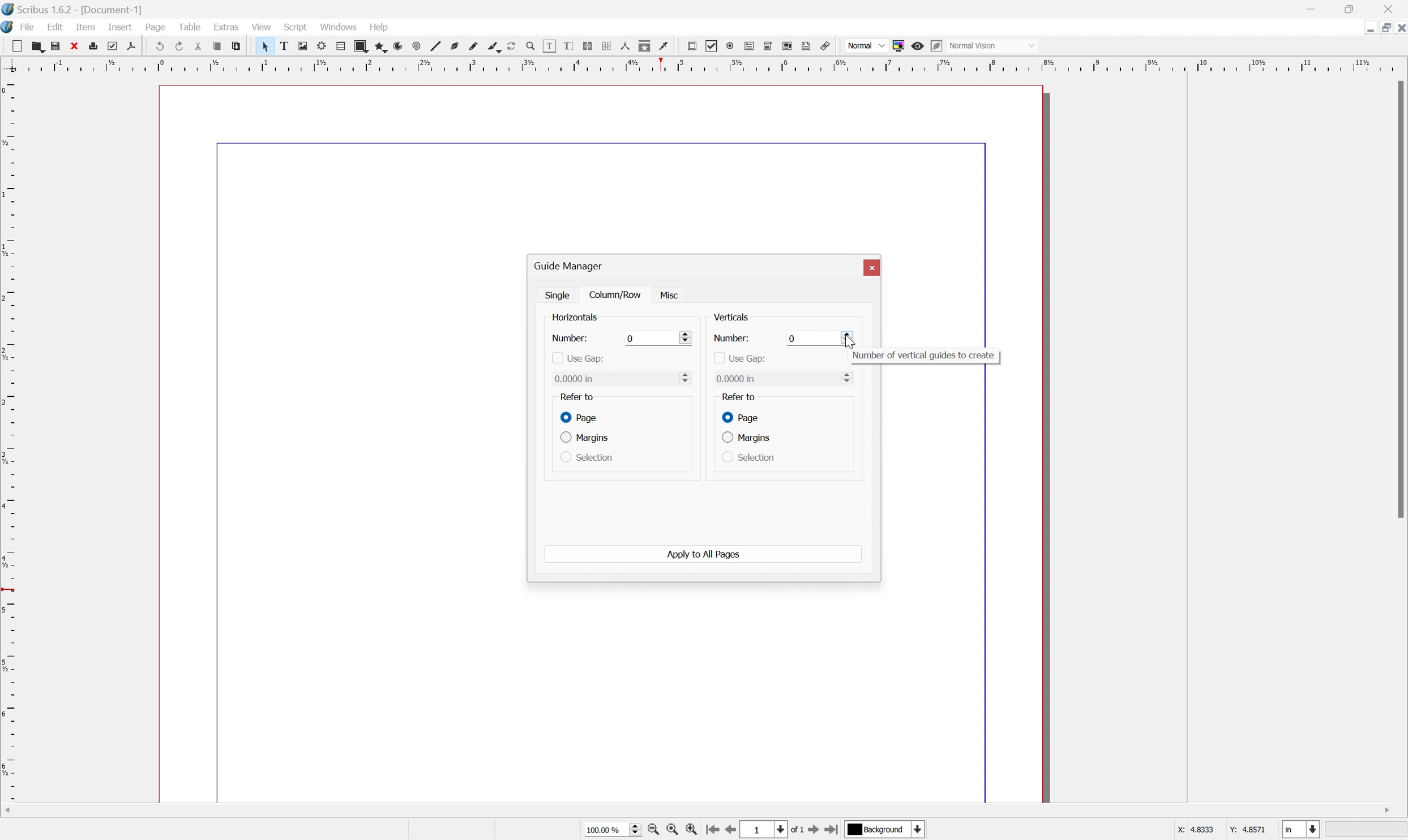  What do you see at coordinates (1399, 299) in the screenshot?
I see `scroll bar` at bounding box center [1399, 299].